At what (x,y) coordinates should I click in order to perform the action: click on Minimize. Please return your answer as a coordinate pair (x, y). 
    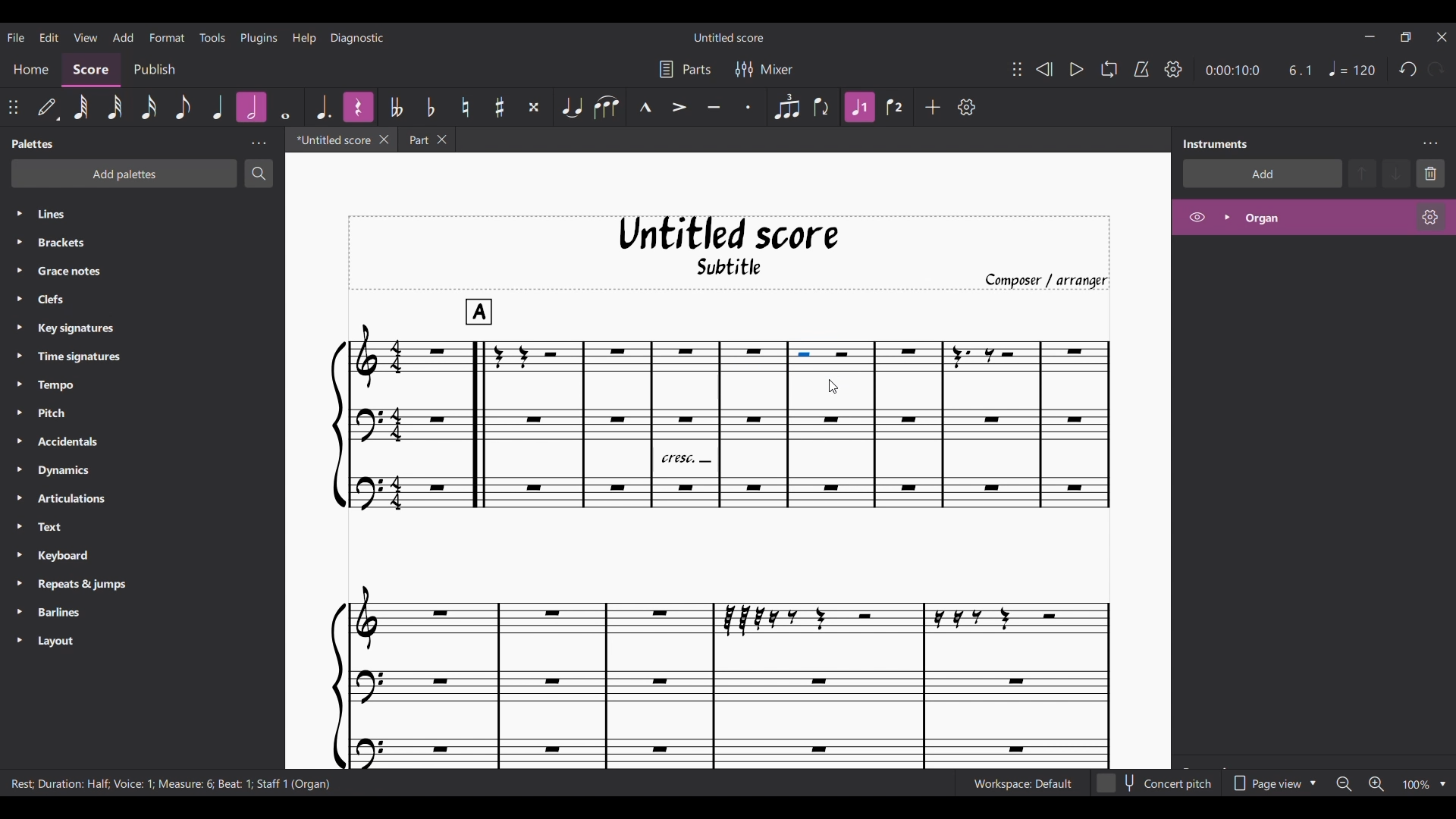
    Looking at the image, I should click on (1370, 36).